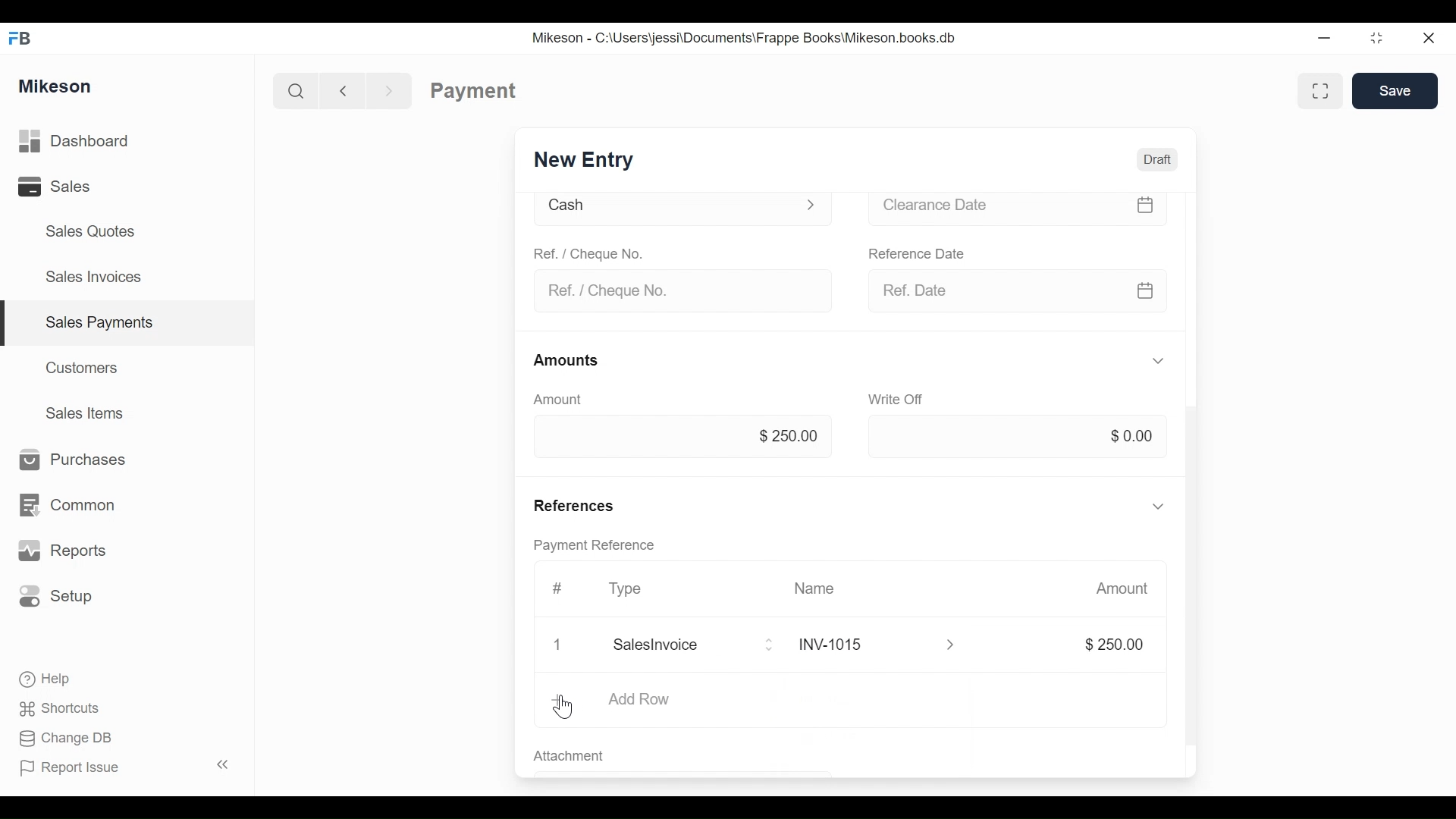  What do you see at coordinates (881, 645) in the screenshot?
I see `INY1015` at bounding box center [881, 645].